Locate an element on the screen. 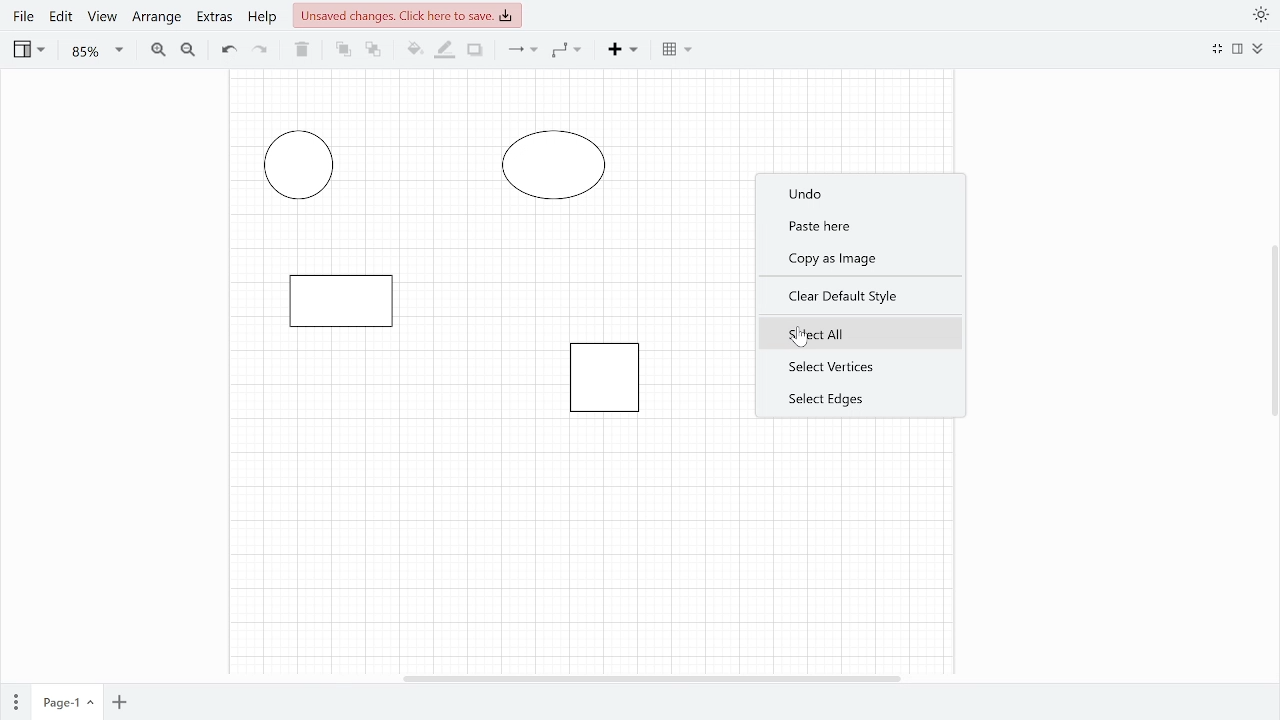 This screenshot has width=1280, height=720. Help is located at coordinates (262, 21).